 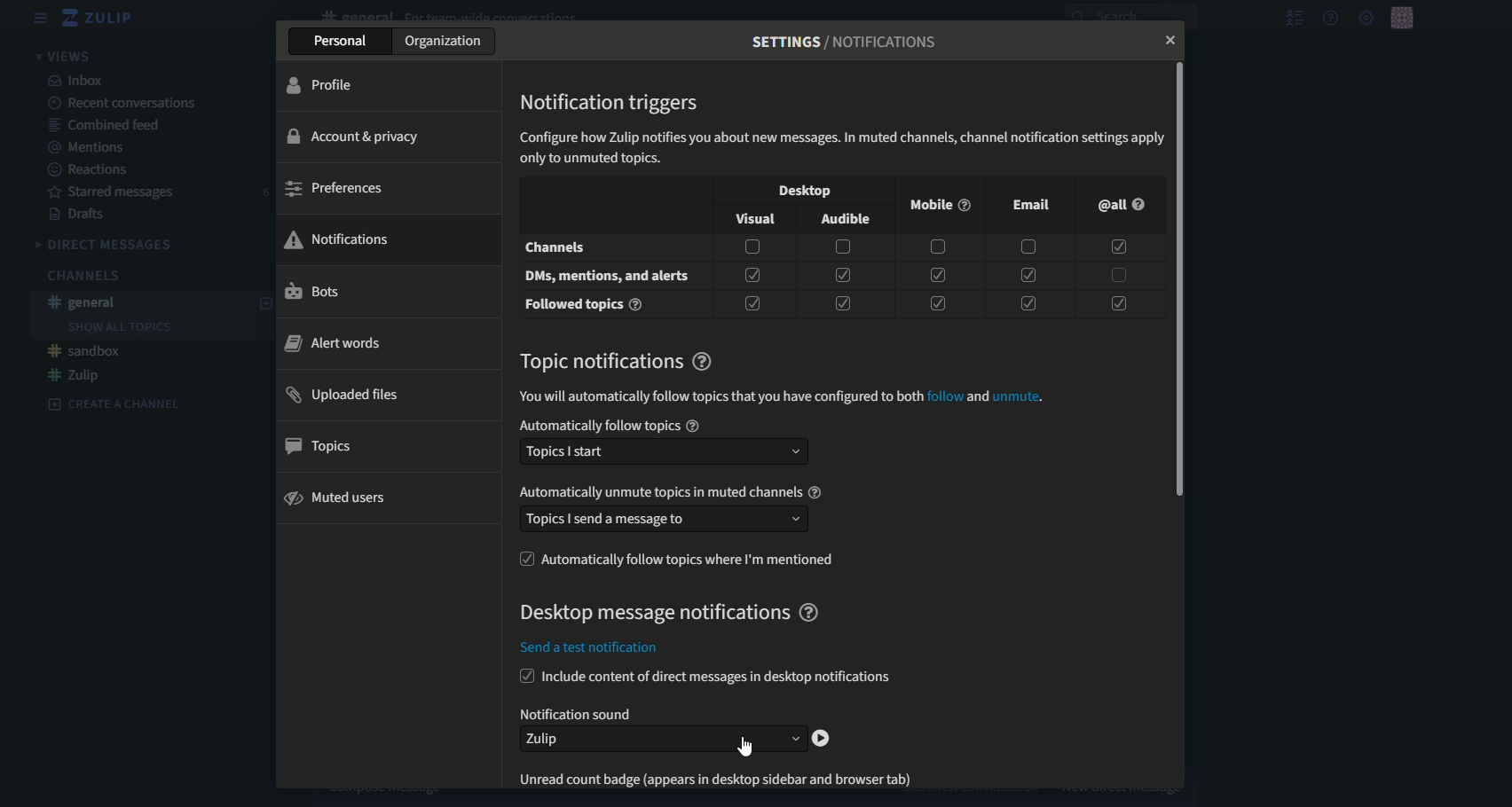 What do you see at coordinates (75, 375) in the screenshot?
I see `#Zulip` at bounding box center [75, 375].